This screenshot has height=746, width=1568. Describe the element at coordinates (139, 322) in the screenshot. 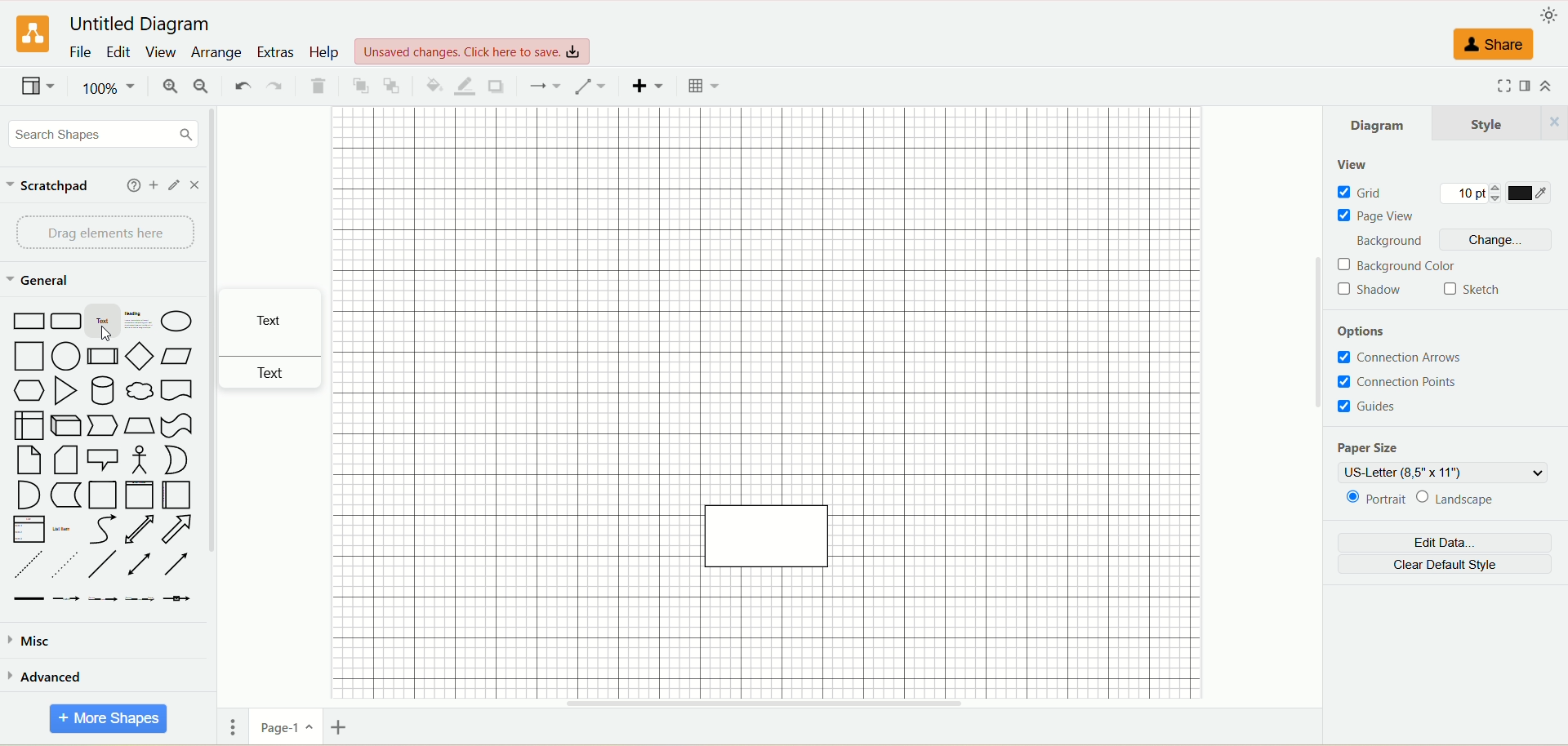

I see `text box` at that location.